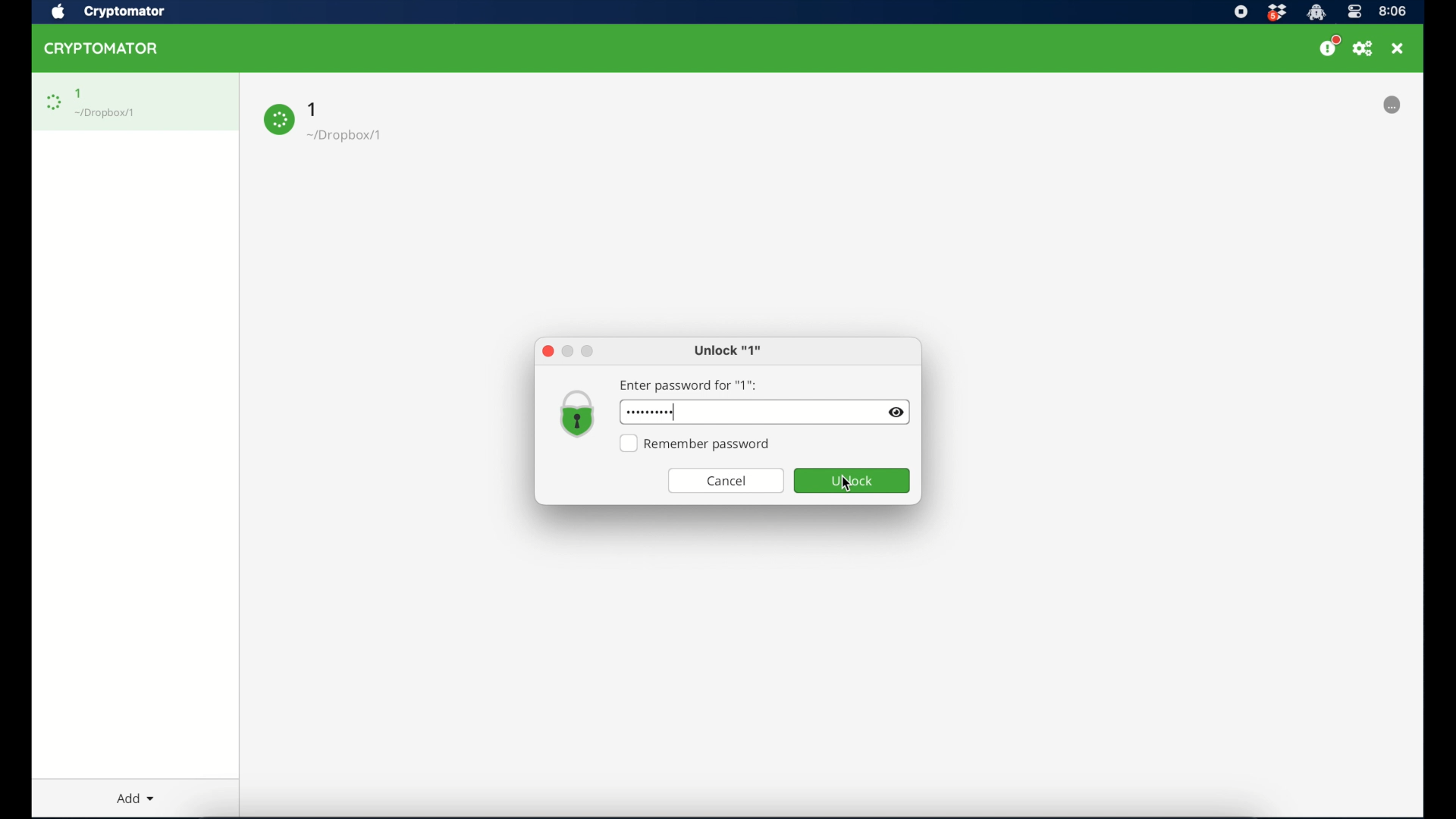  What do you see at coordinates (1398, 49) in the screenshot?
I see `close` at bounding box center [1398, 49].